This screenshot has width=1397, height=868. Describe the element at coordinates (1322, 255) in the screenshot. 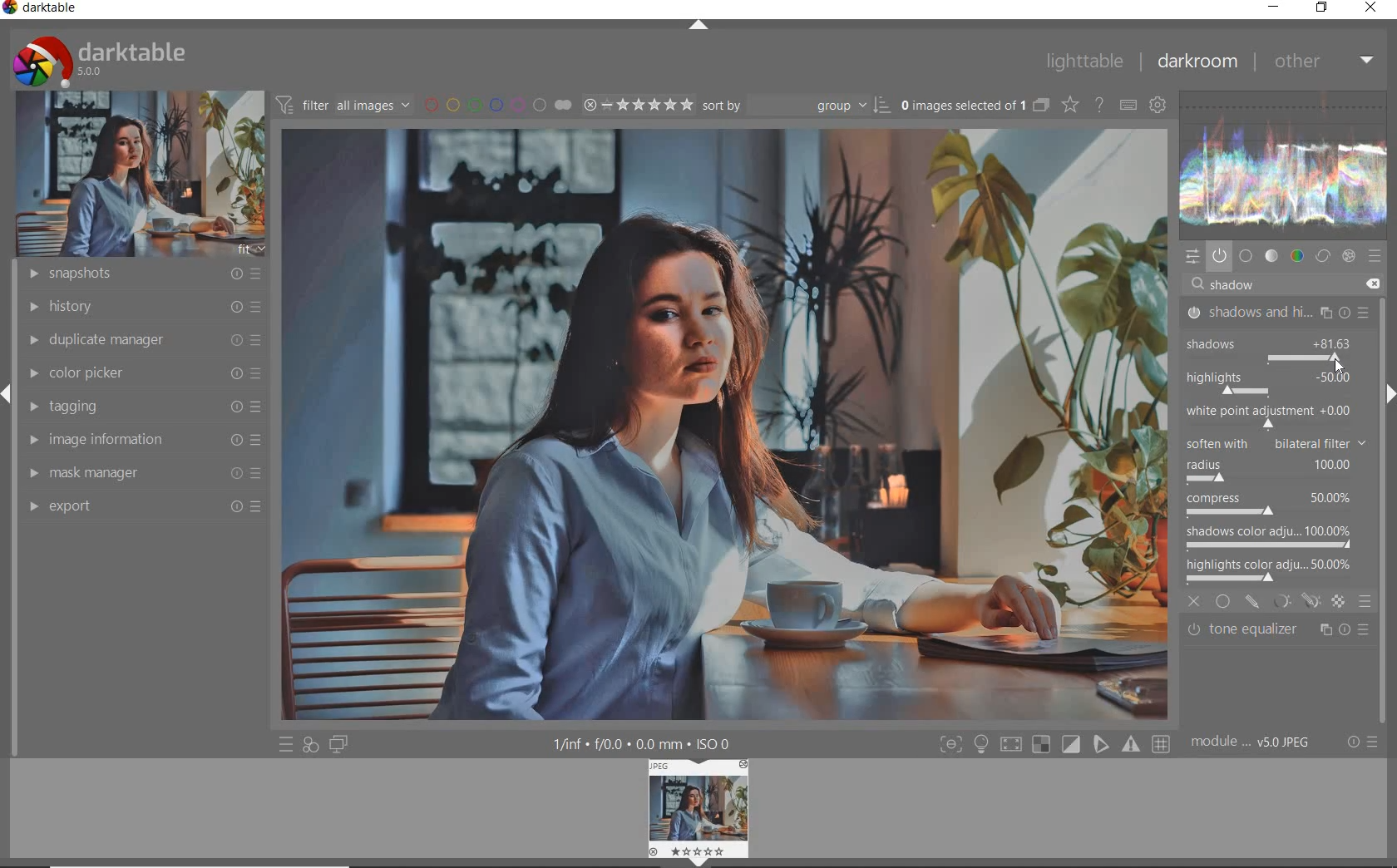

I see `correct` at that location.